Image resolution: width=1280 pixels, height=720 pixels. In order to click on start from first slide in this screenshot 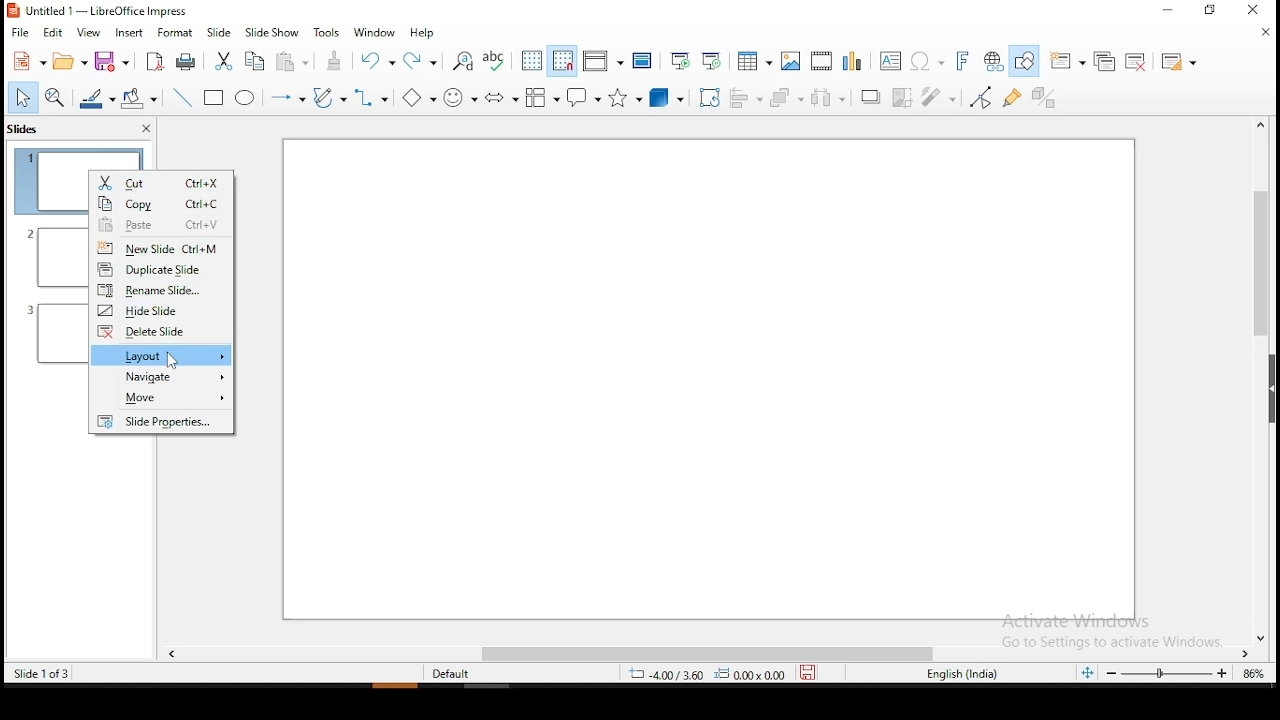, I will do `click(680, 62)`.